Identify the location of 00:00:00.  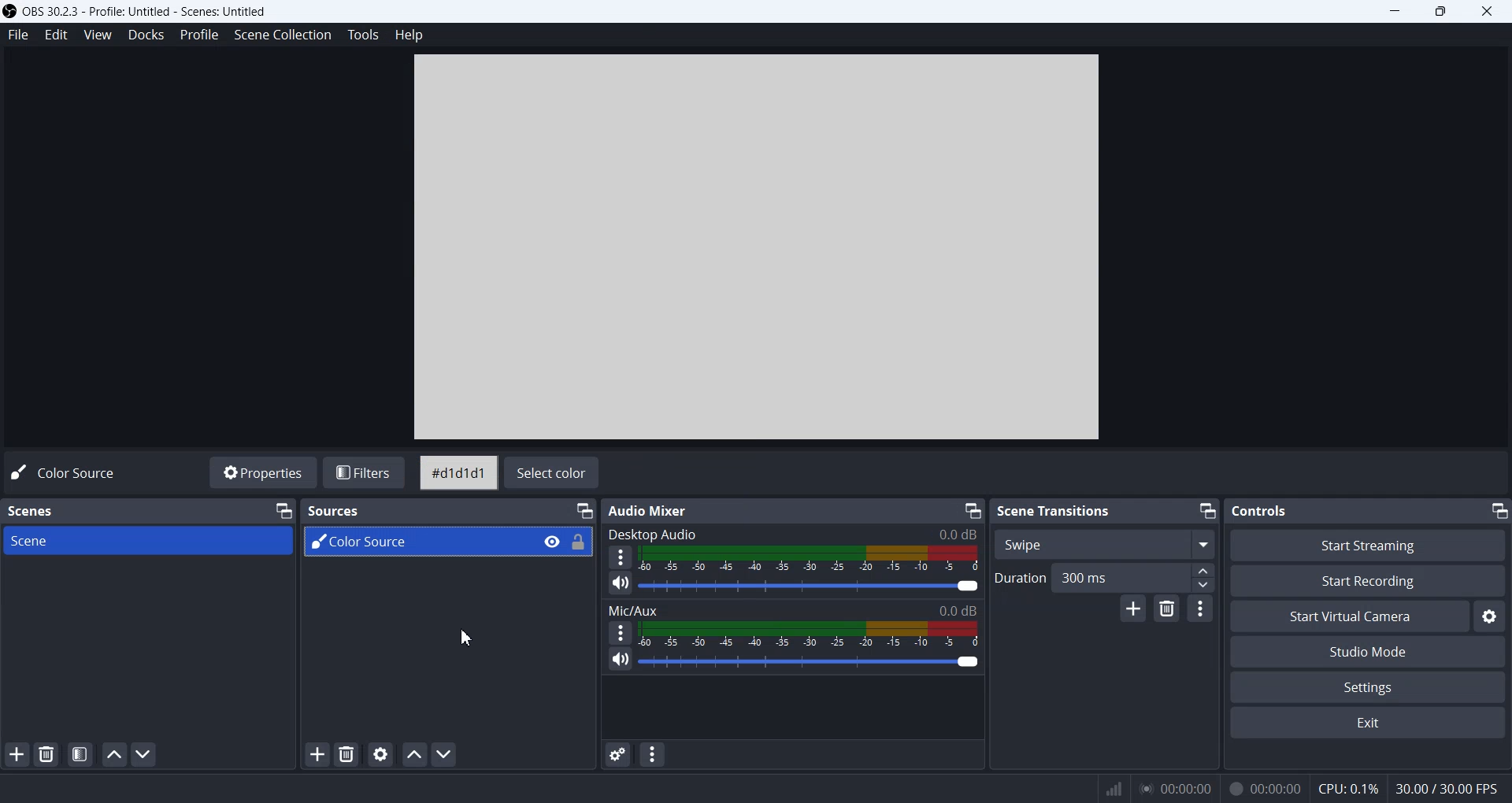
(1173, 787).